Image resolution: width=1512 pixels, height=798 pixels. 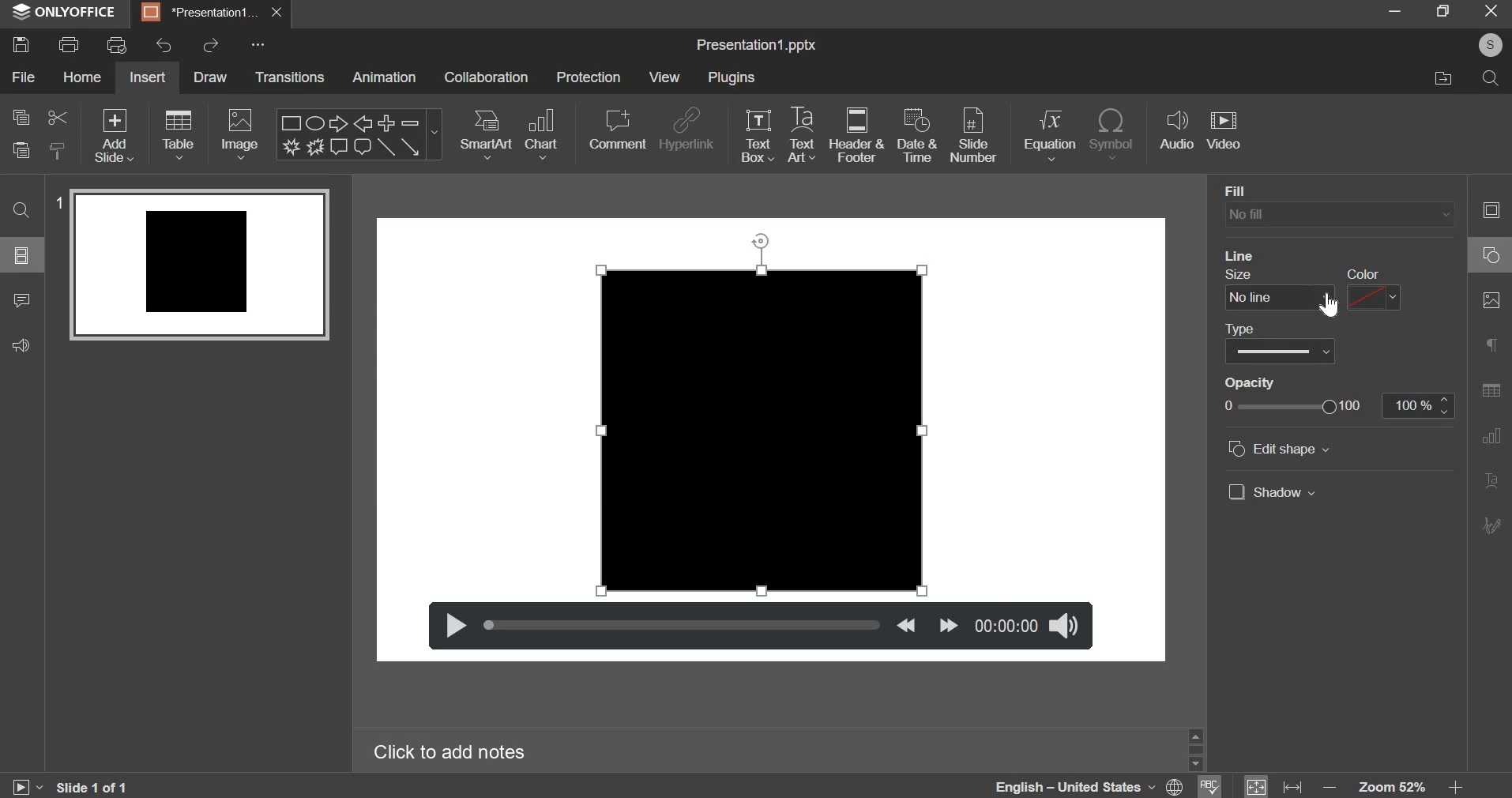 What do you see at coordinates (148, 78) in the screenshot?
I see `insert` at bounding box center [148, 78].